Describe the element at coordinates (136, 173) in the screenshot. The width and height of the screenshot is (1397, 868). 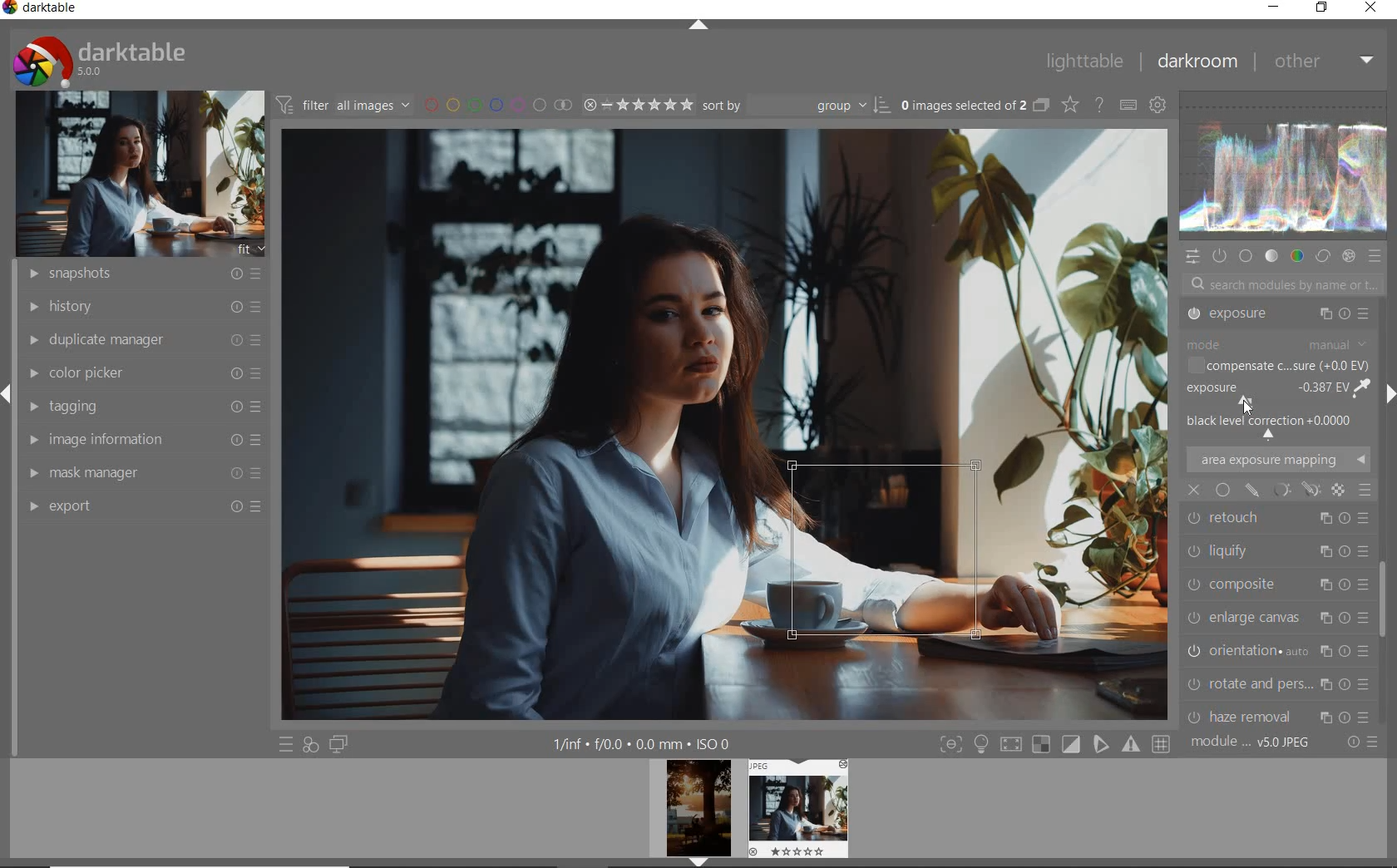
I see `IMAGE` at that location.